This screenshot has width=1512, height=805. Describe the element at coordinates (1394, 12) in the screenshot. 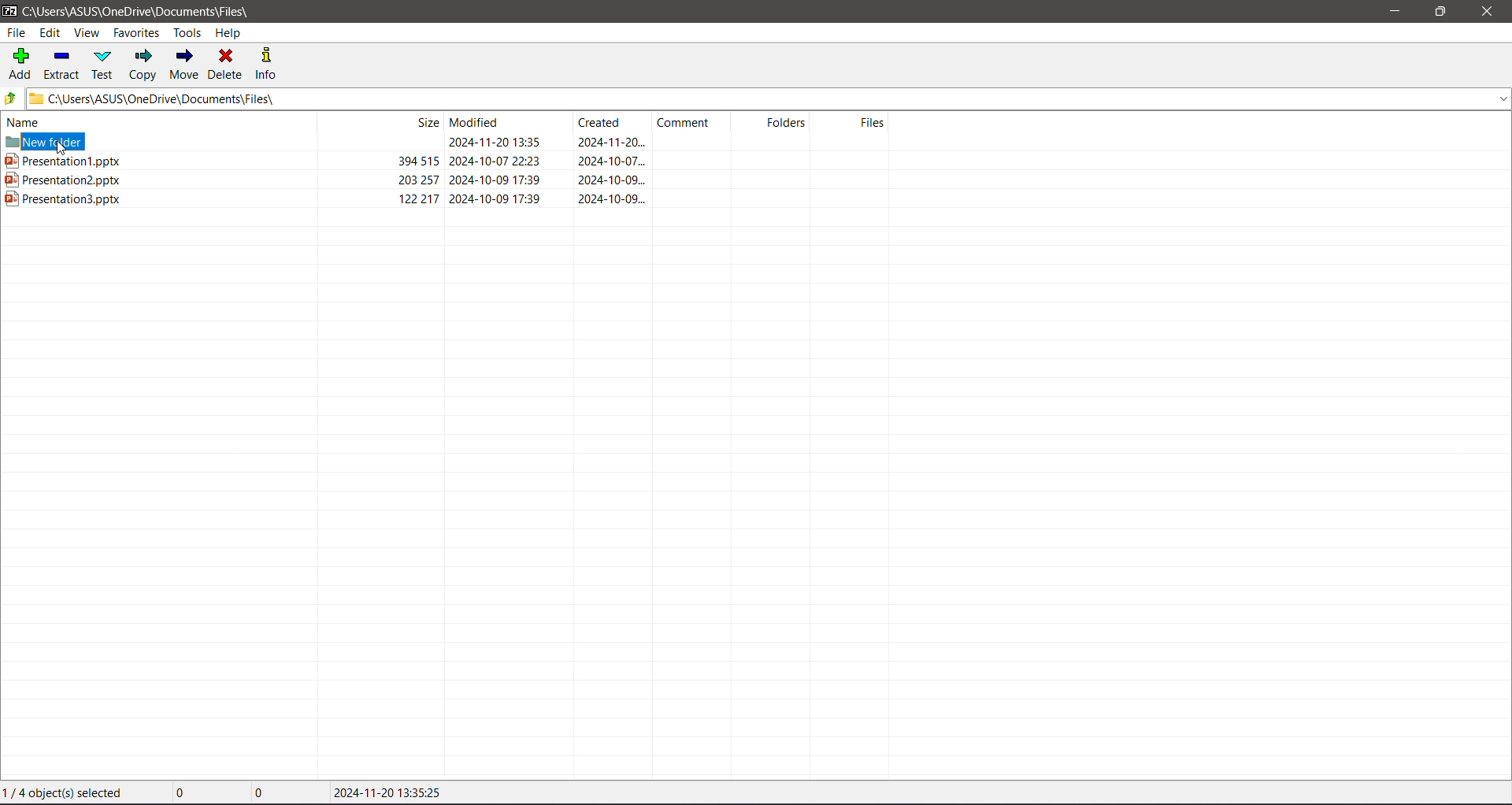

I see `Minimize` at that location.